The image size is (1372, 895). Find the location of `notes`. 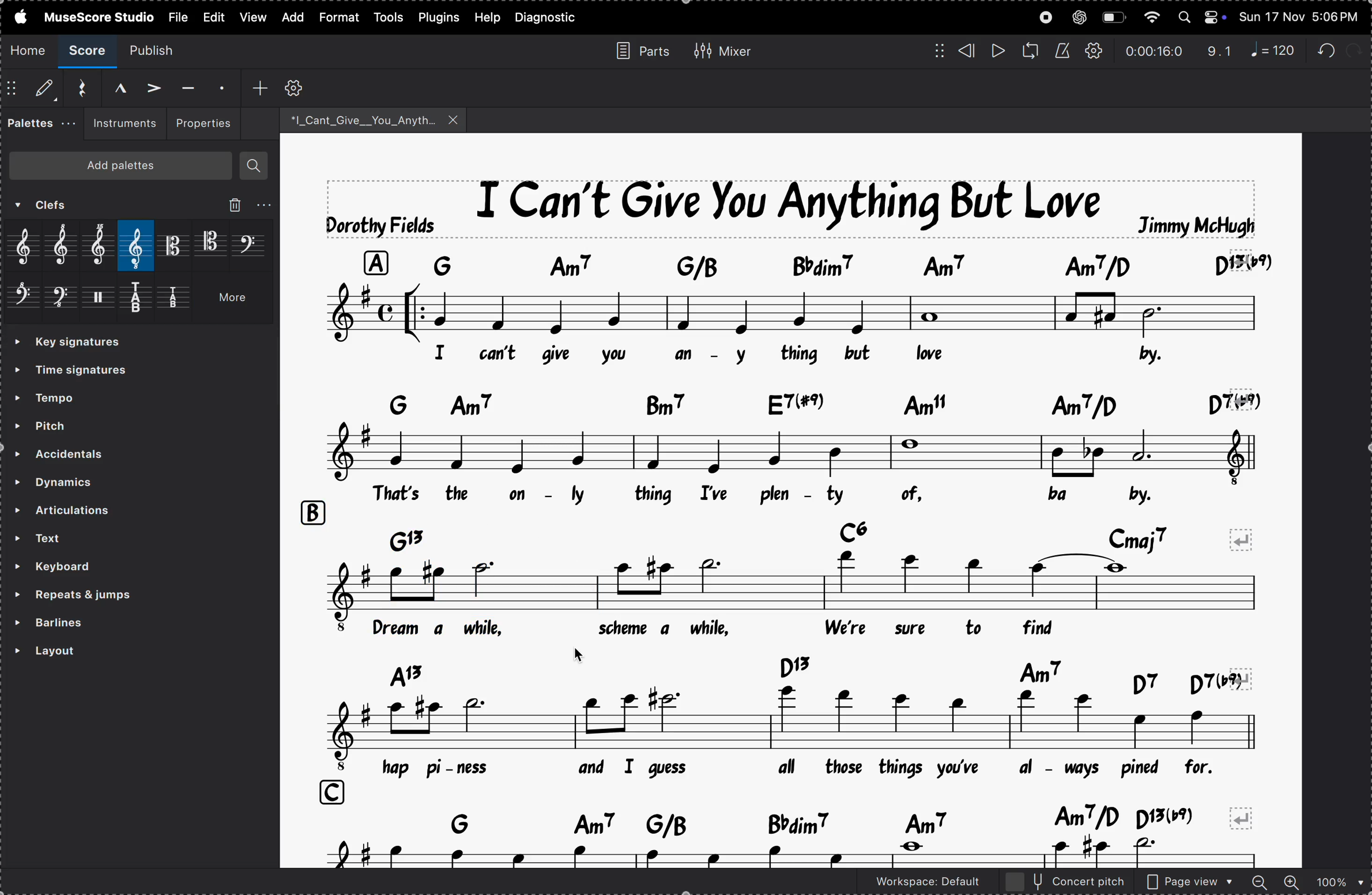

notes is located at coordinates (342, 592).